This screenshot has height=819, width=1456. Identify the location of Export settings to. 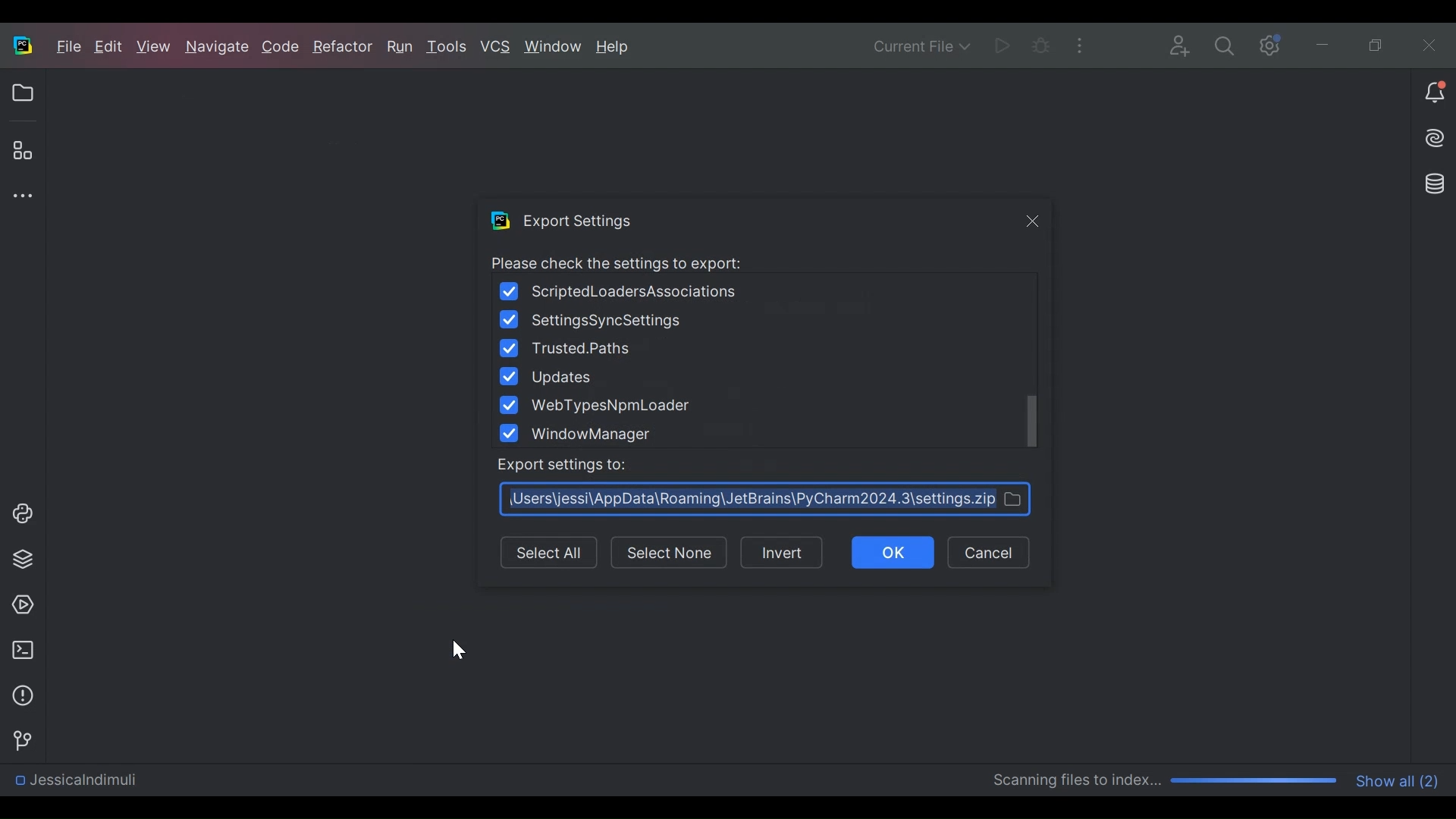
(559, 466).